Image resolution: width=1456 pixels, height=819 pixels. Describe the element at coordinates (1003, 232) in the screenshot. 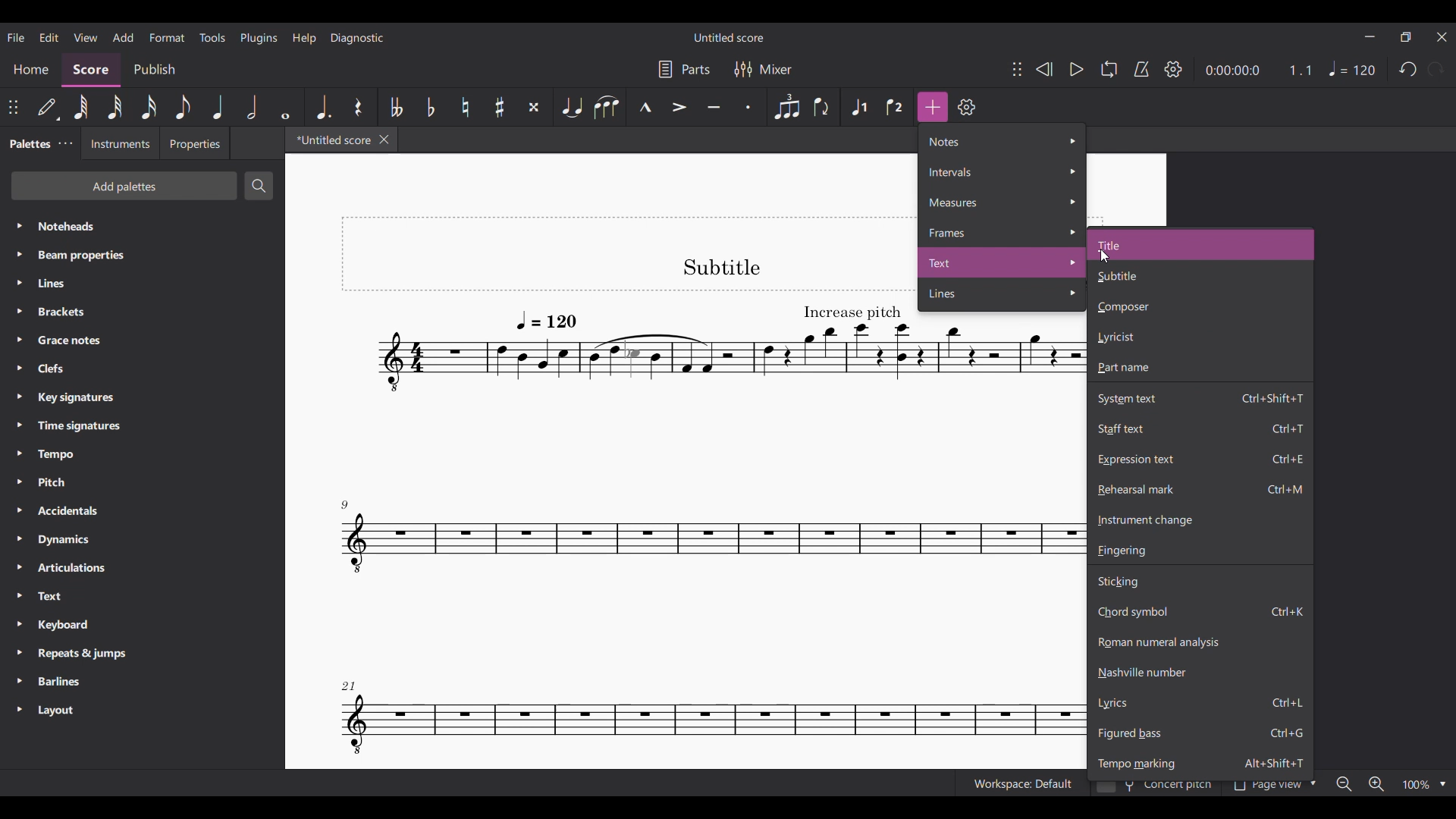

I see `Frame options` at that location.